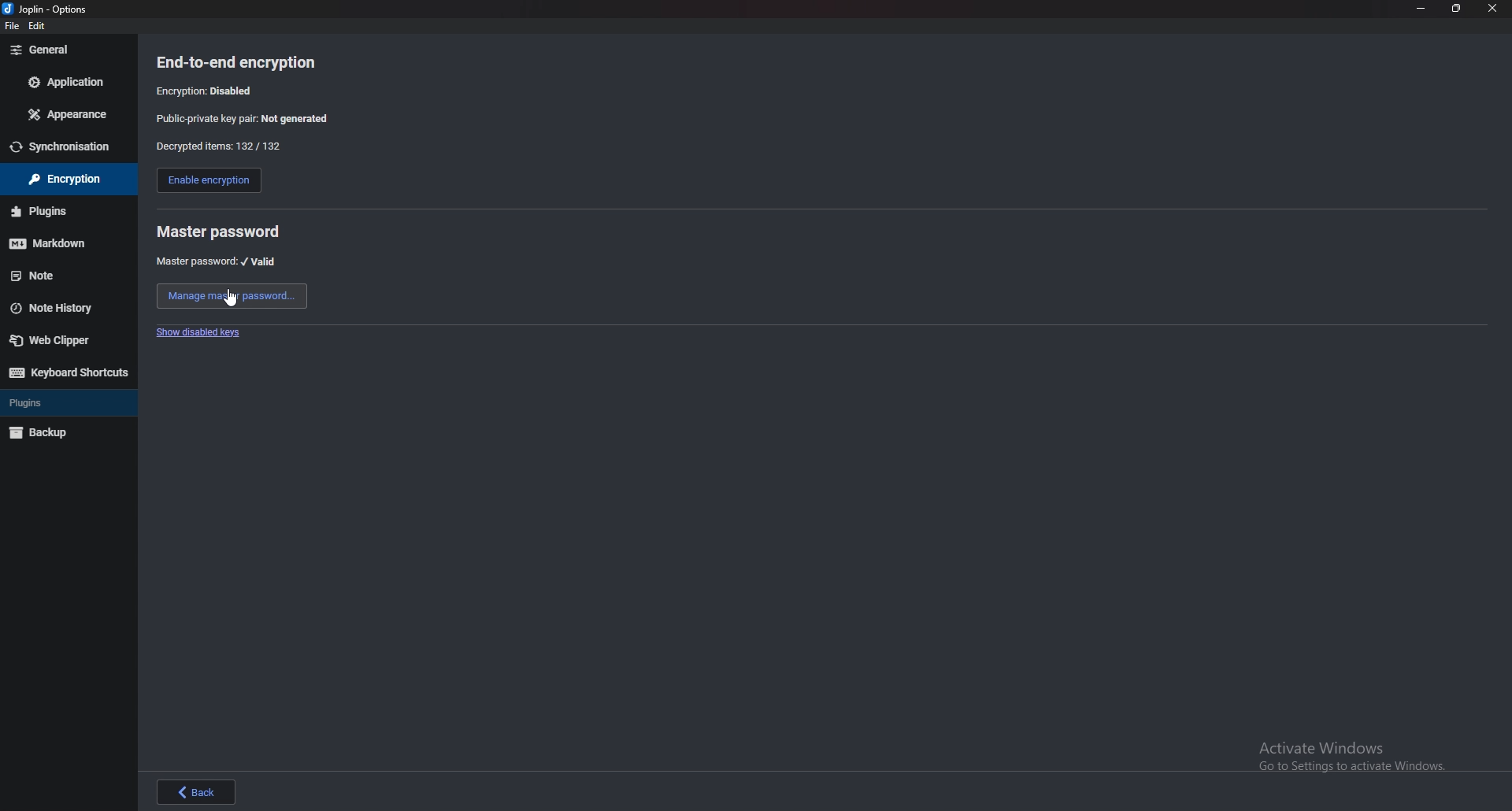  Describe the element at coordinates (67, 147) in the screenshot. I see `sync` at that location.